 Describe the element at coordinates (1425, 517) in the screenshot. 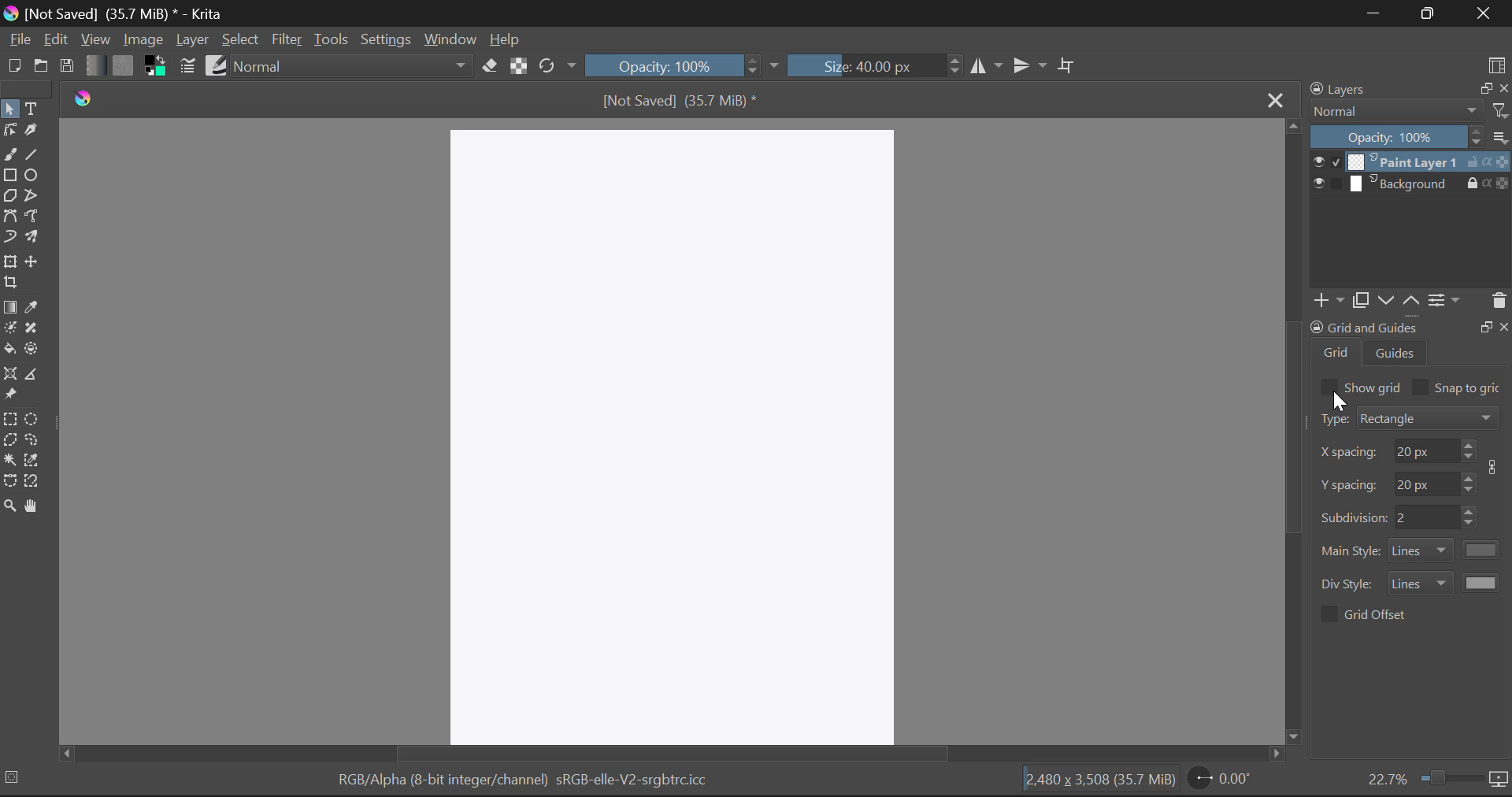

I see `sub division` at that location.